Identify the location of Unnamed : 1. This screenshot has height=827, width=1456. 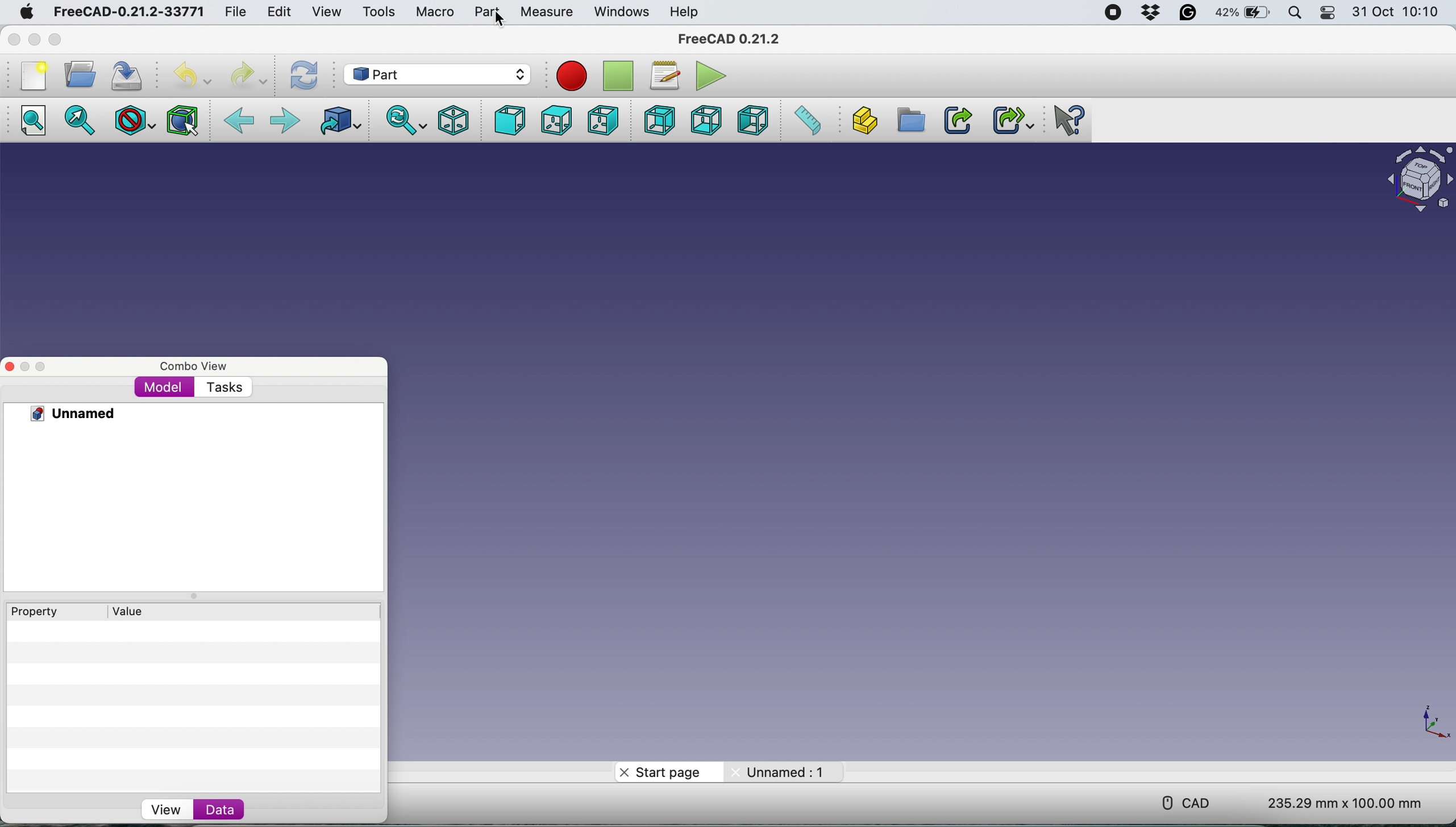
(779, 770).